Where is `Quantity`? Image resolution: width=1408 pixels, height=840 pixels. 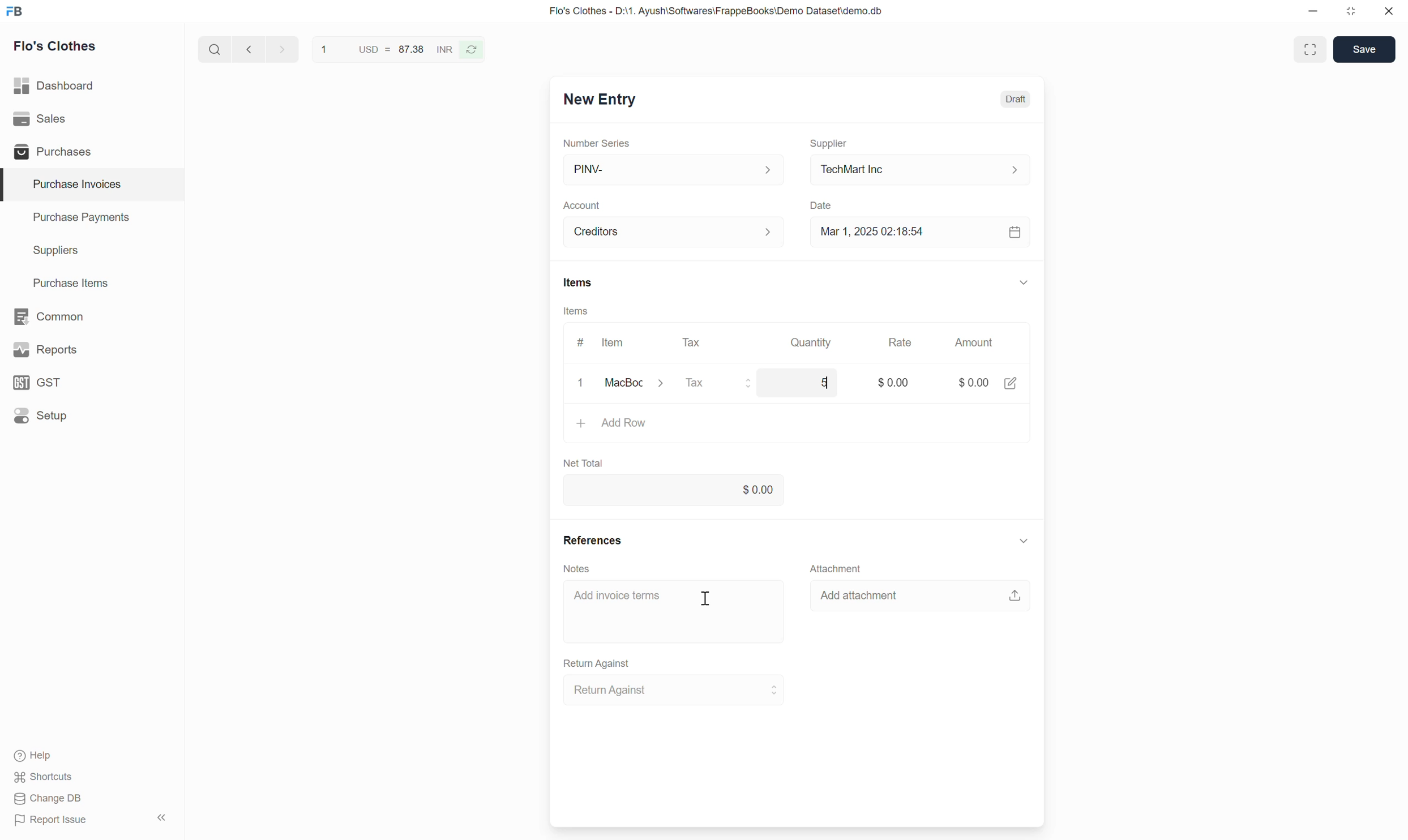
Quantity is located at coordinates (809, 342).